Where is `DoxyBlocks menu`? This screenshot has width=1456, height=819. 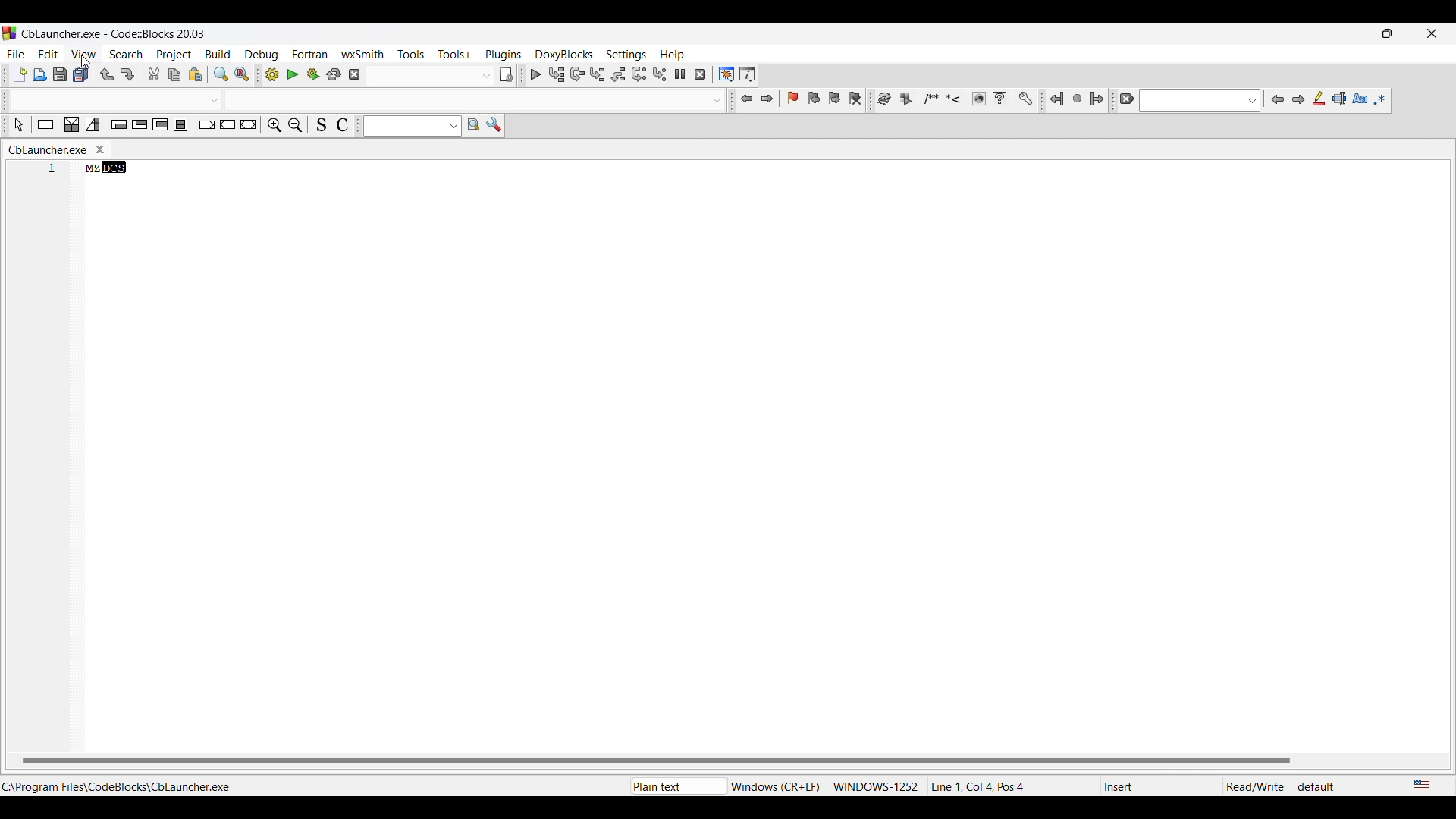 DoxyBlocks menu is located at coordinates (564, 55).